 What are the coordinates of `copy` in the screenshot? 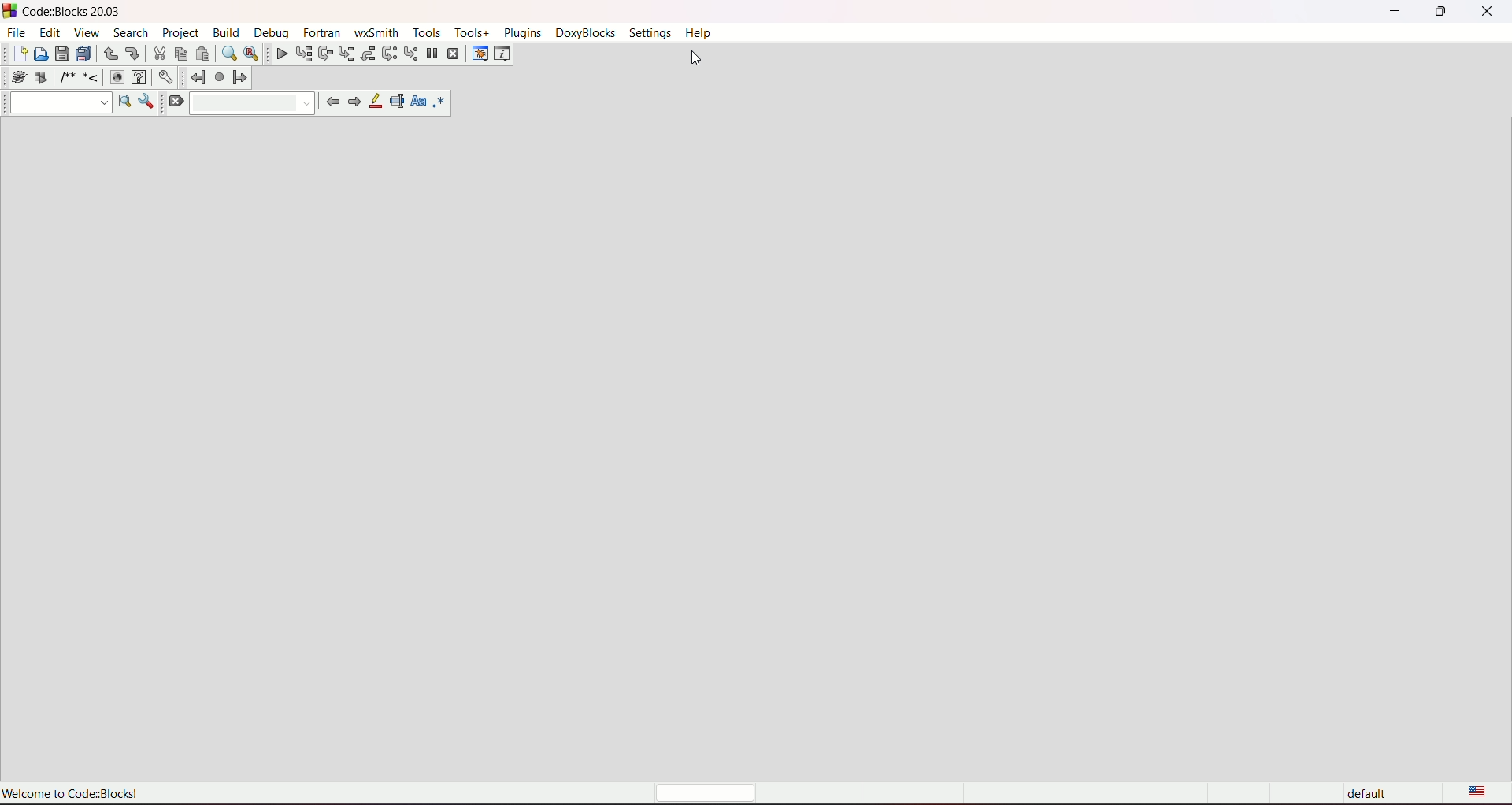 It's located at (183, 54).